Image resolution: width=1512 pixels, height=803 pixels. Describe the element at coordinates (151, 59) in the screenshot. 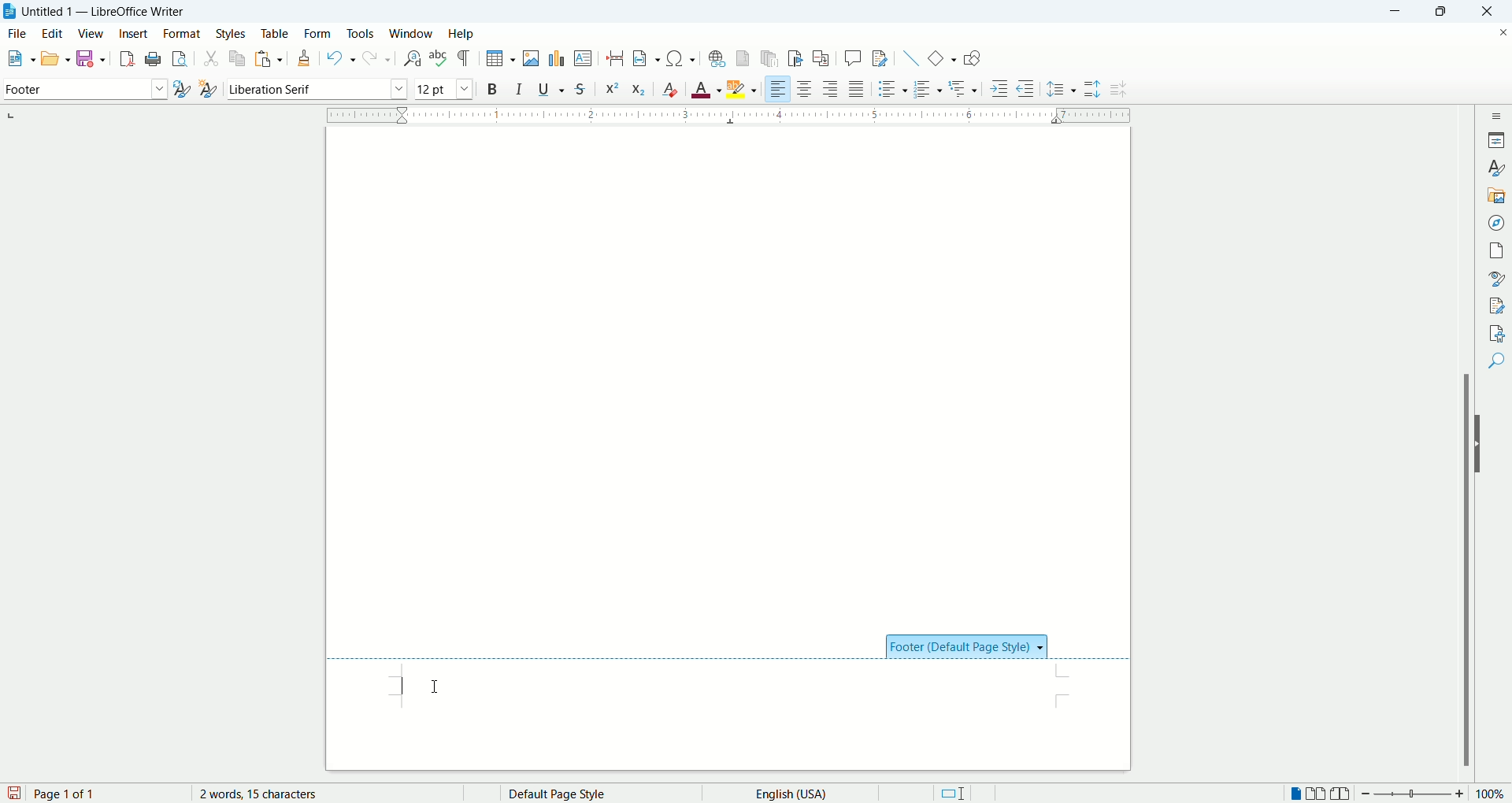

I see `print` at that location.